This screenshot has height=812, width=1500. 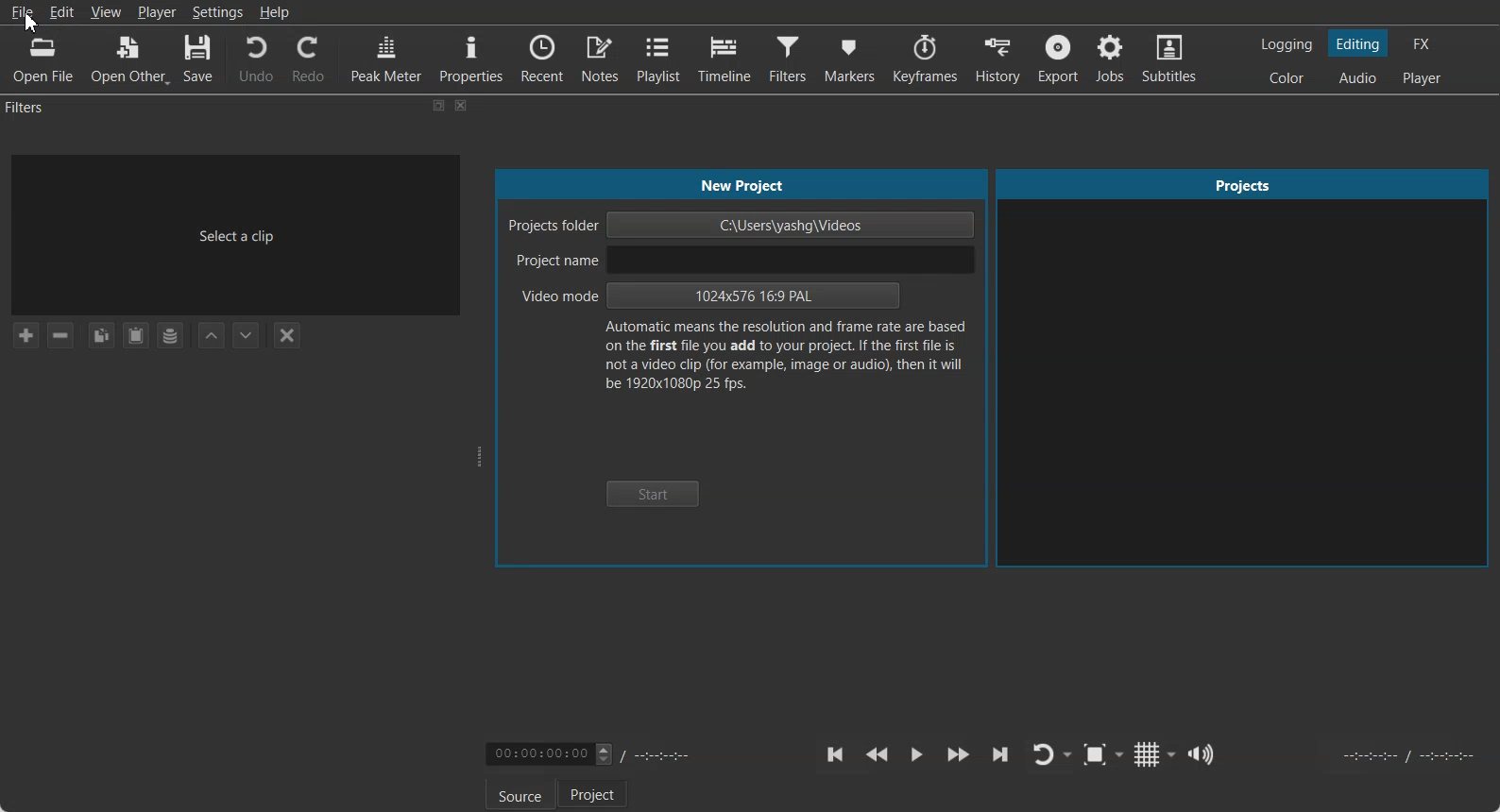 I want to click on Timeline, so click(x=724, y=59).